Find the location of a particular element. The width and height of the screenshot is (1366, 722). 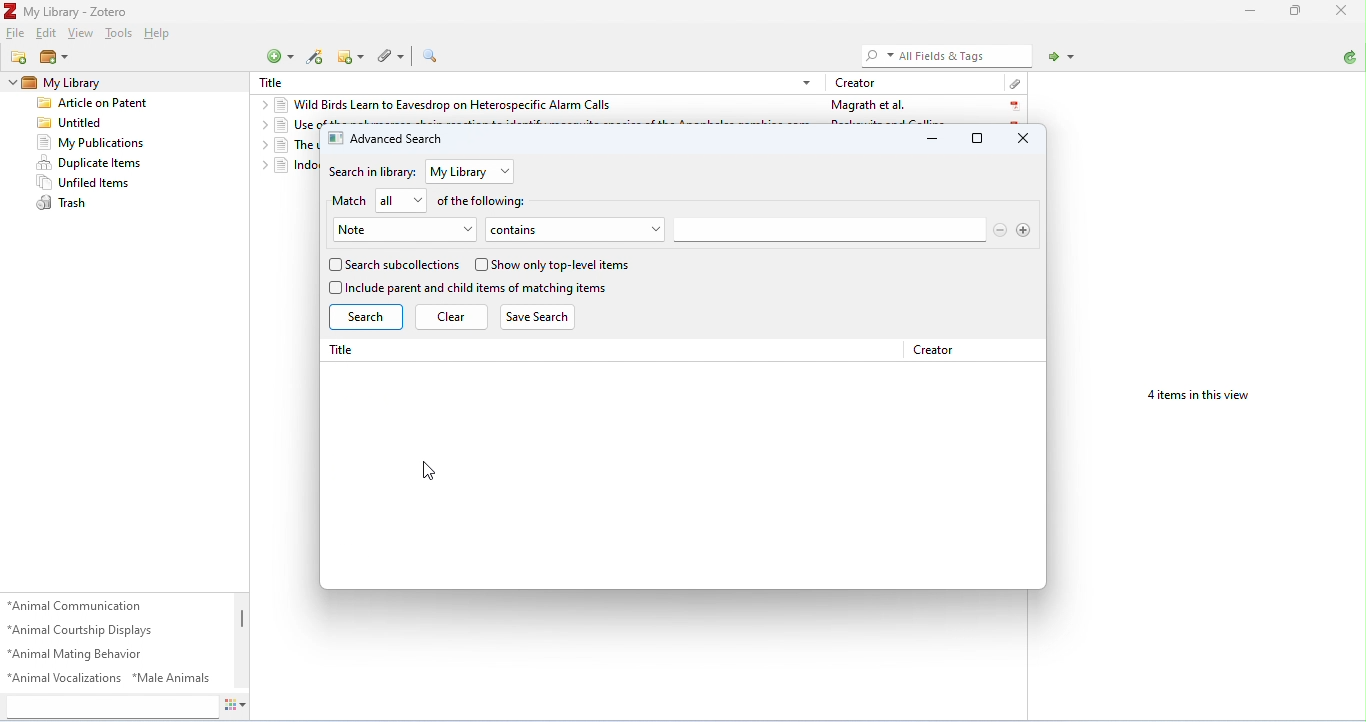

search bar is located at coordinates (829, 230).